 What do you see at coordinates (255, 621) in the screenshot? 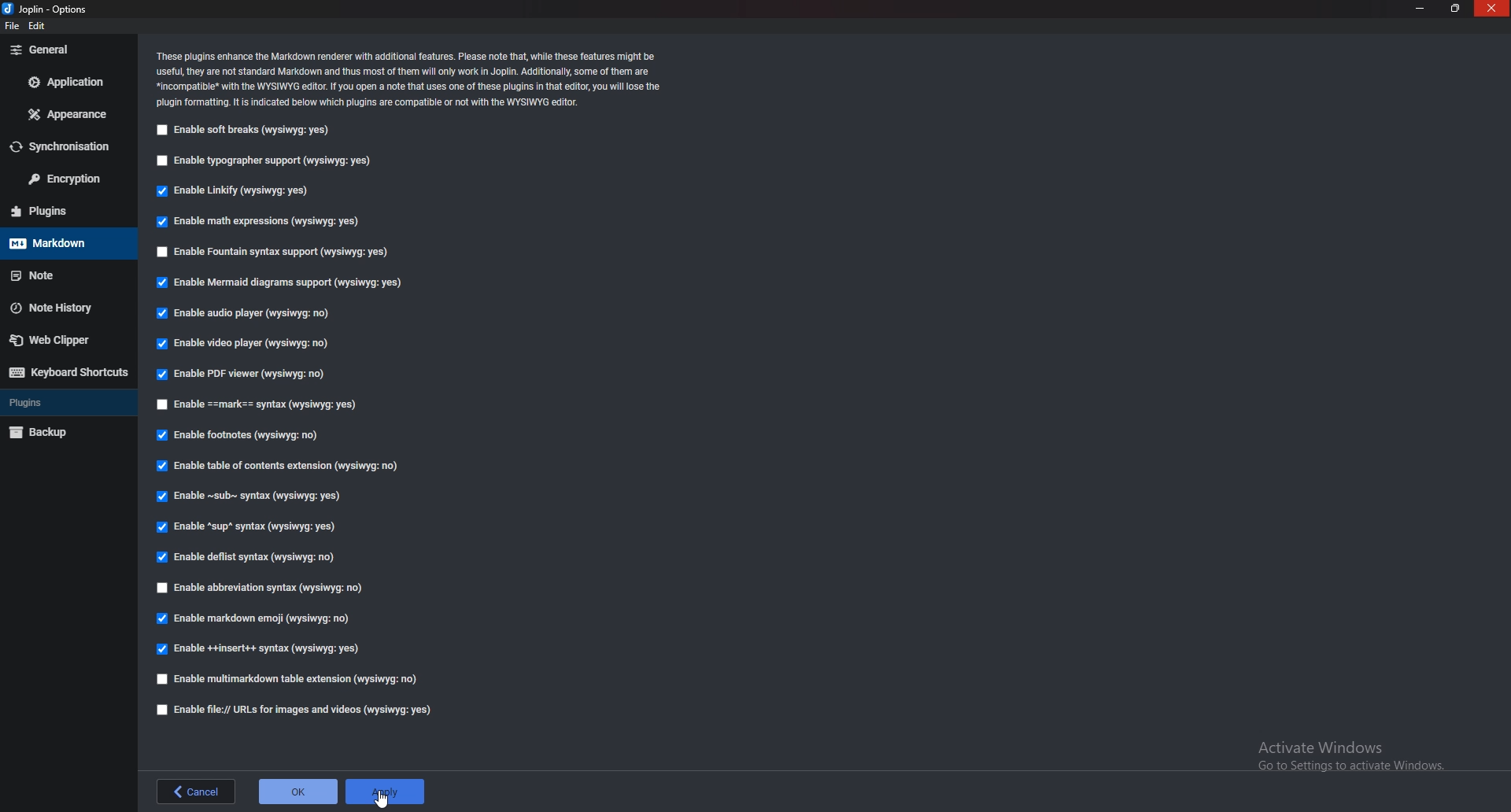
I see `Enable Markdown Emoji` at bounding box center [255, 621].